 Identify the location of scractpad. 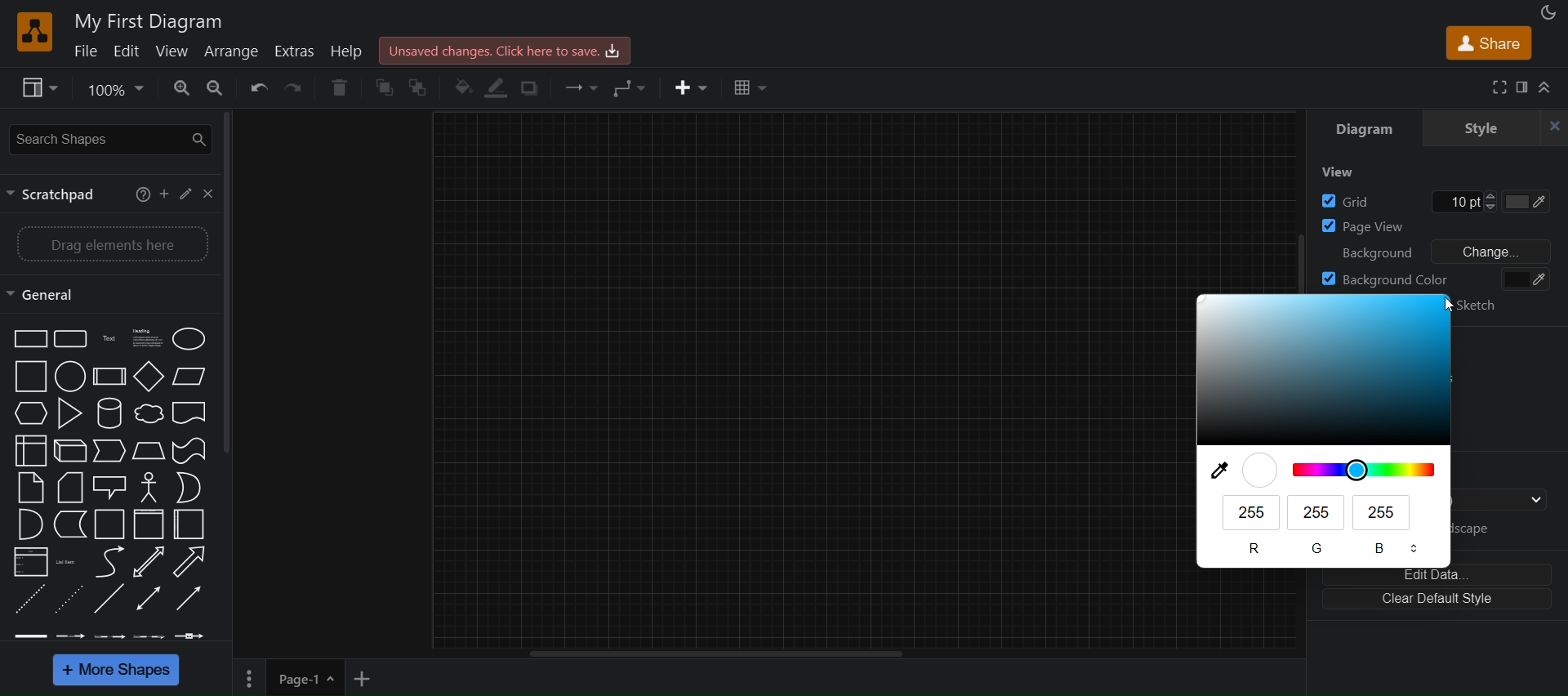
(59, 196).